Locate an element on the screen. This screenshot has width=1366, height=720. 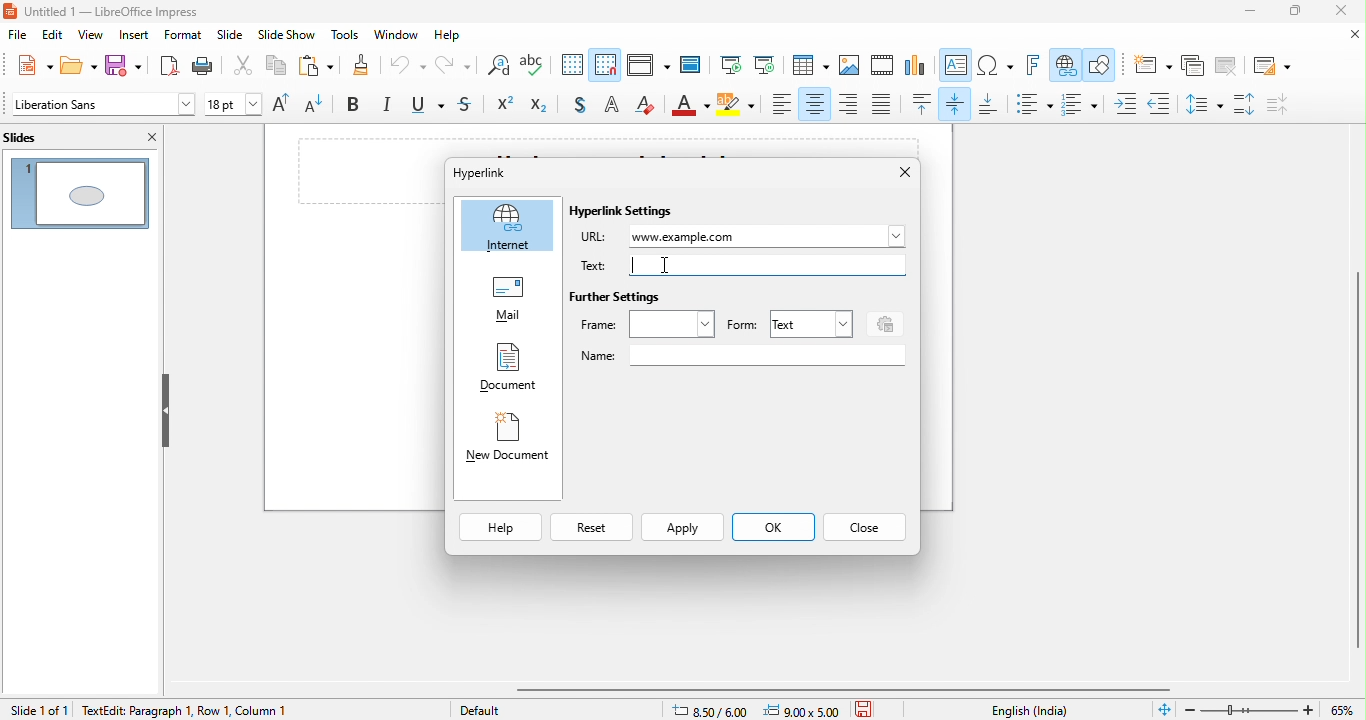
minimize is located at coordinates (1239, 14).